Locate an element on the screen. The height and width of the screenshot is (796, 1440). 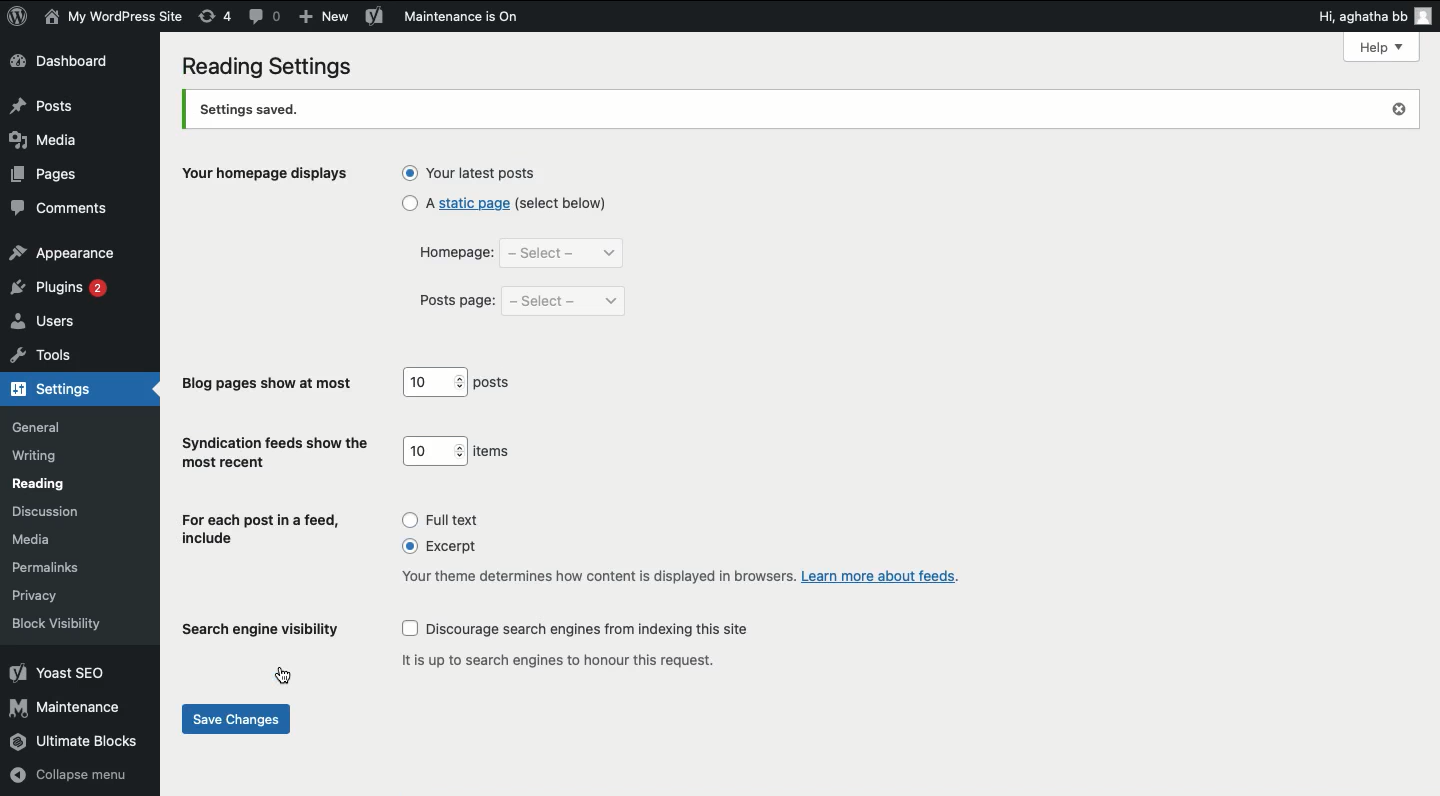
settings is located at coordinates (52, 390).